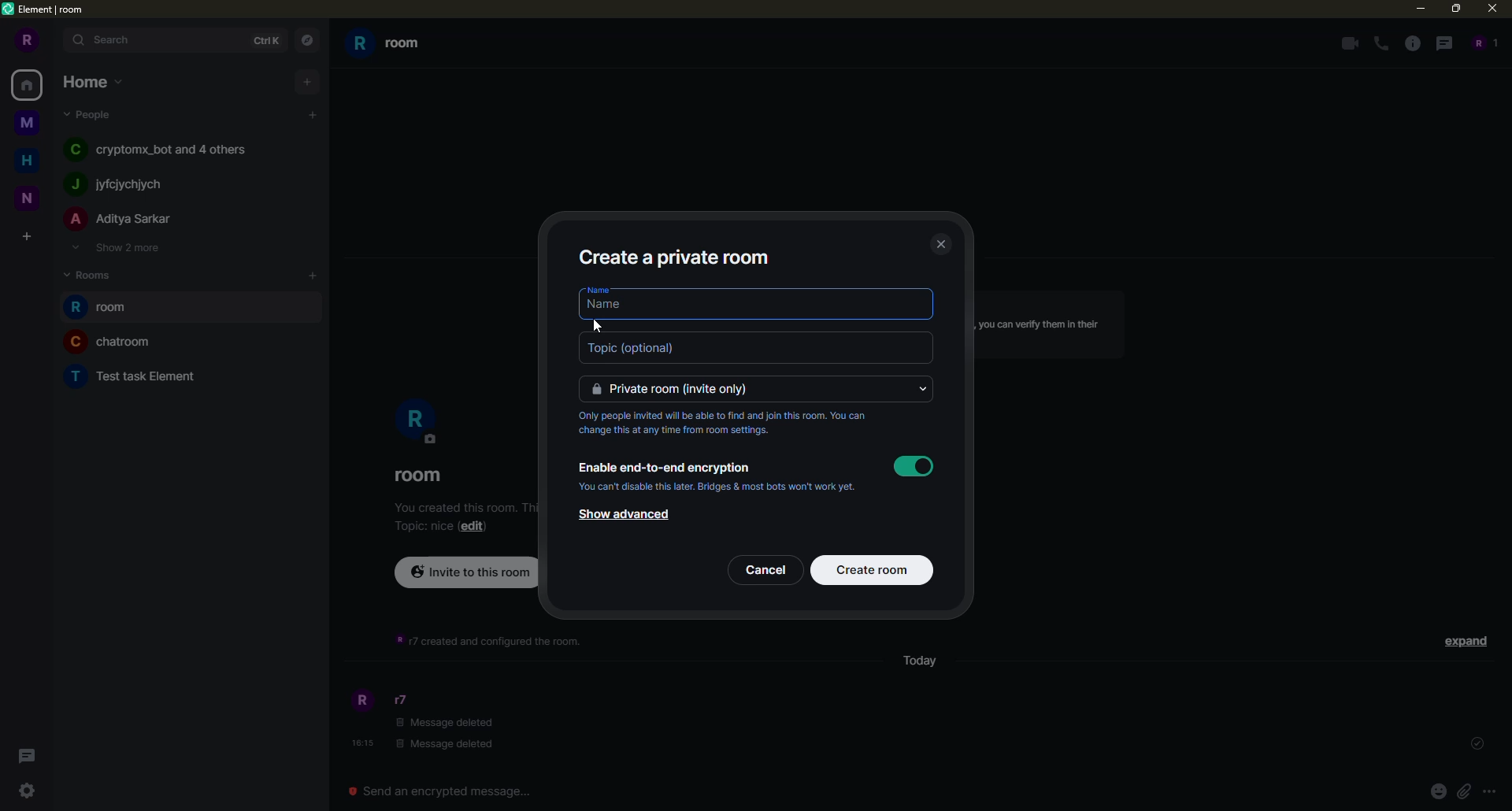 The width and height of the screenshot is (1512, 811). I want to click on element, so click(47, 8).